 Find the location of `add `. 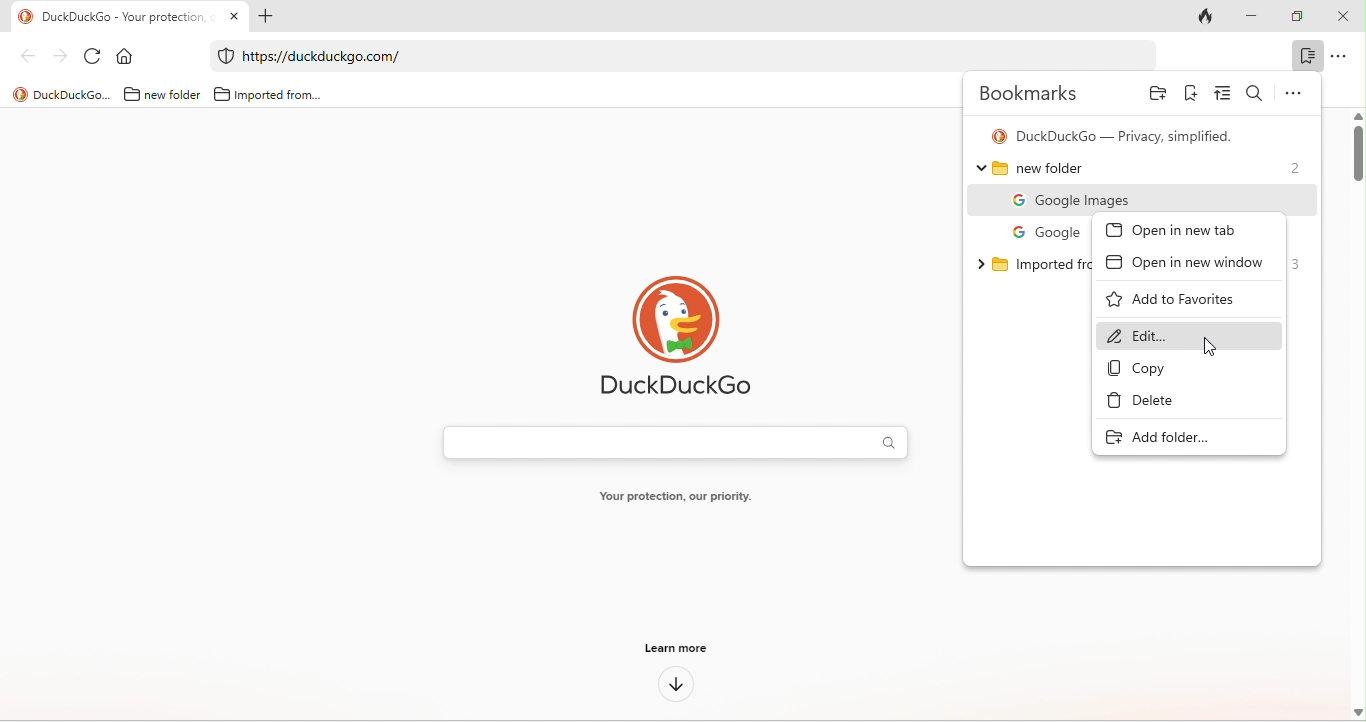

add  is located at coordinates (271, 17).